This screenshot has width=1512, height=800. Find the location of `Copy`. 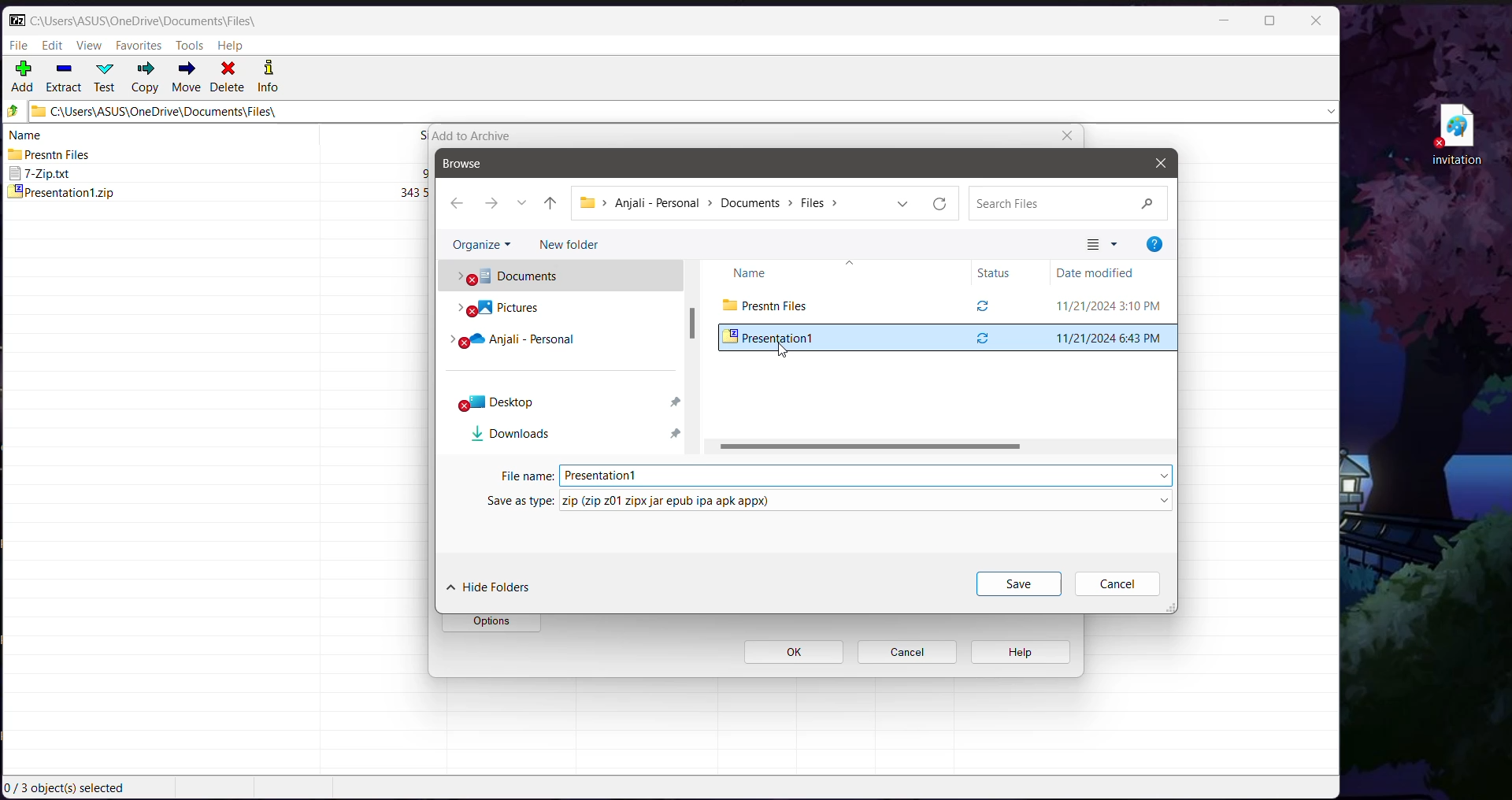

Copy is located at coordinates (145, 78).